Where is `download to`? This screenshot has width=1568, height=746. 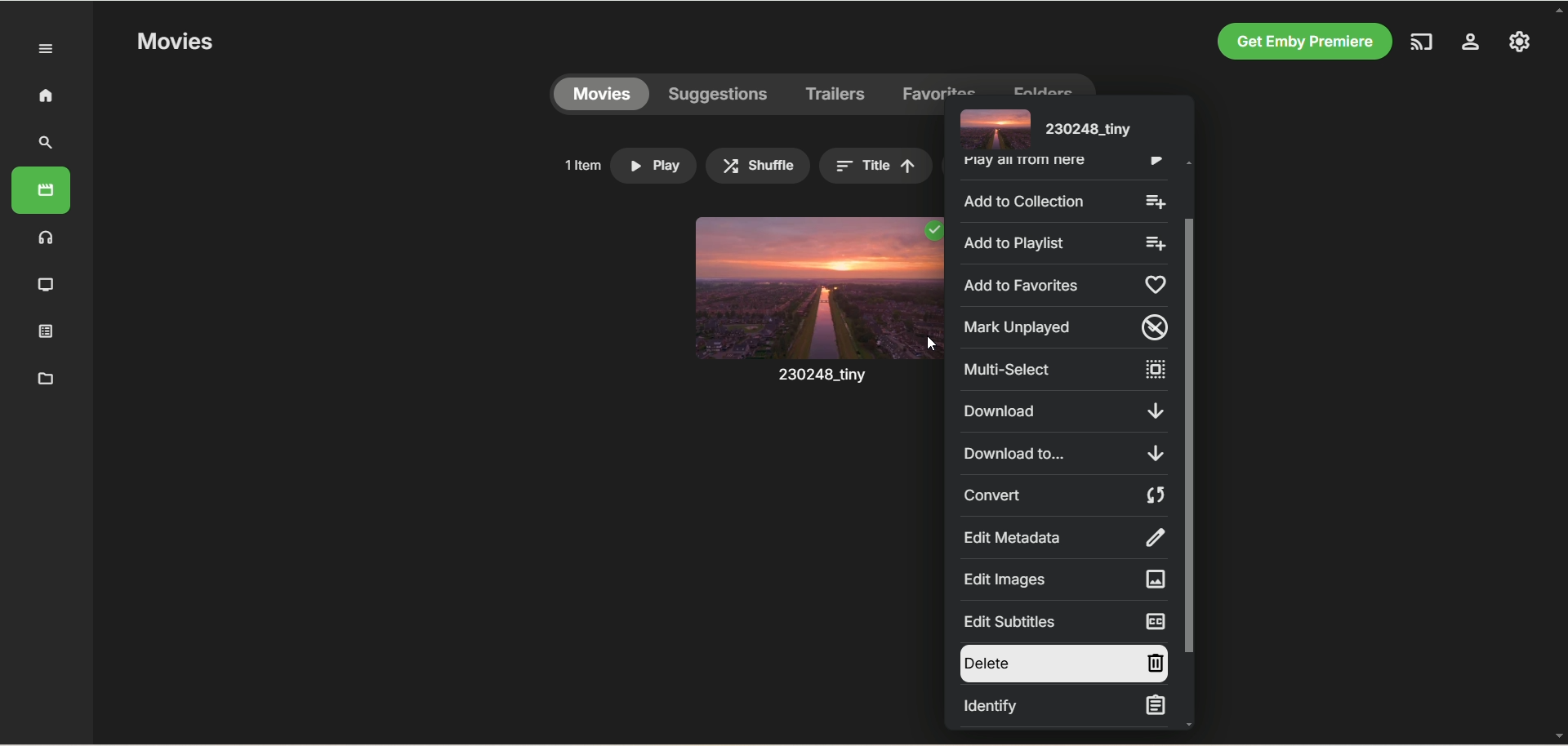
download to is located at coordinates (1065, 453).